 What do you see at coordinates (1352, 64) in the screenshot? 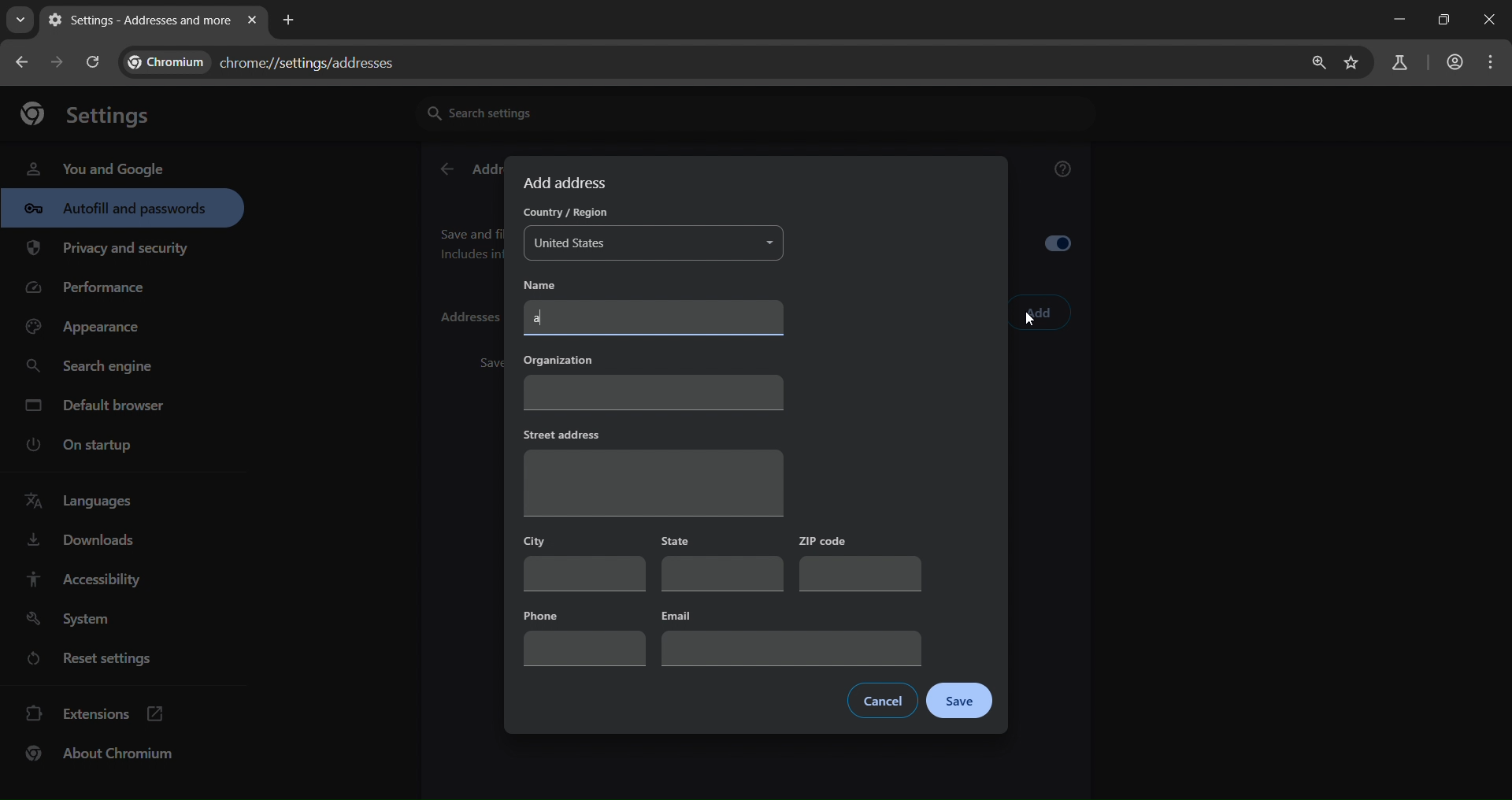
I see `bookmark page` at bounding box center [1352, 64].